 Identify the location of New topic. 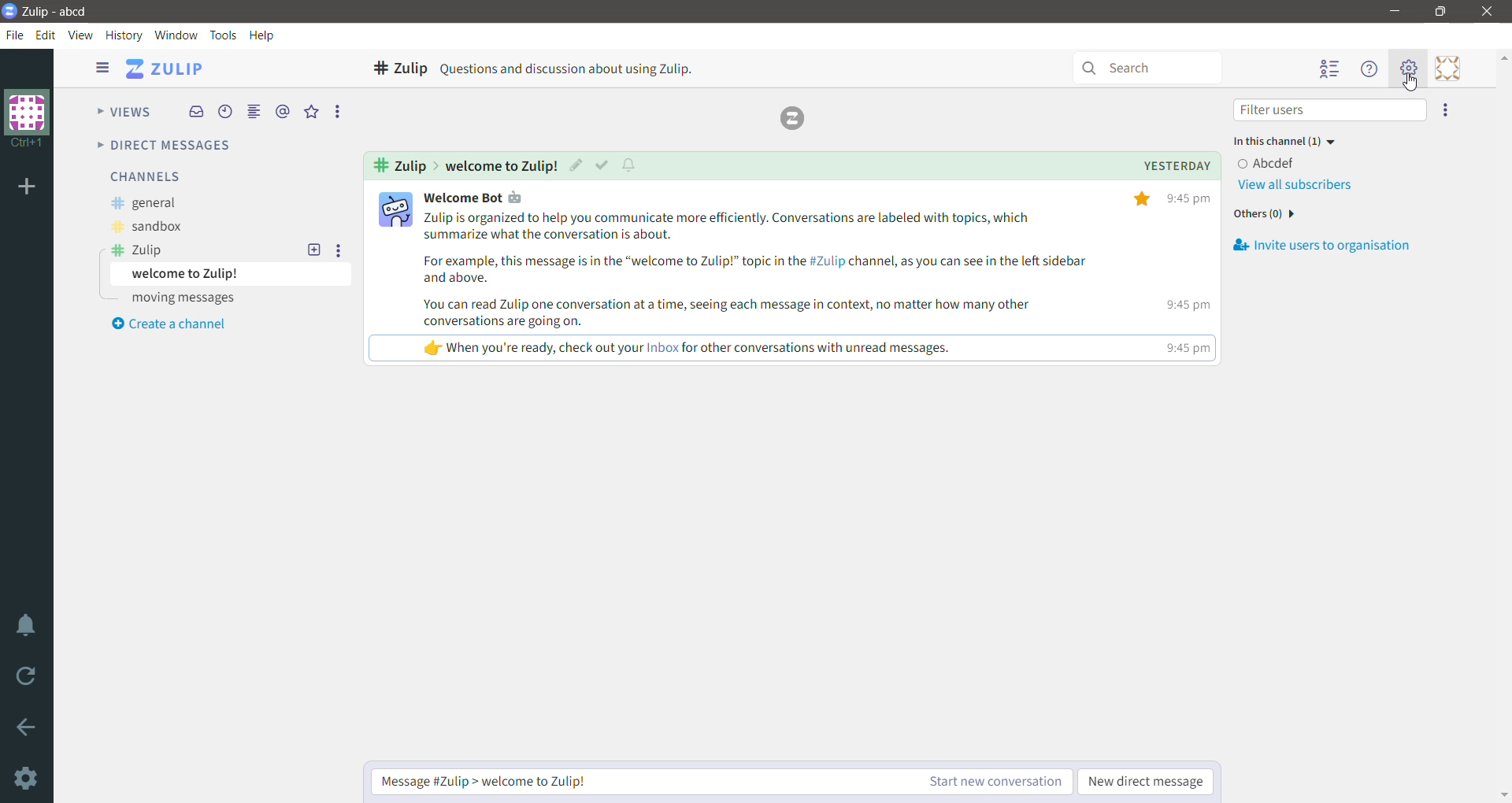
(313, 250).